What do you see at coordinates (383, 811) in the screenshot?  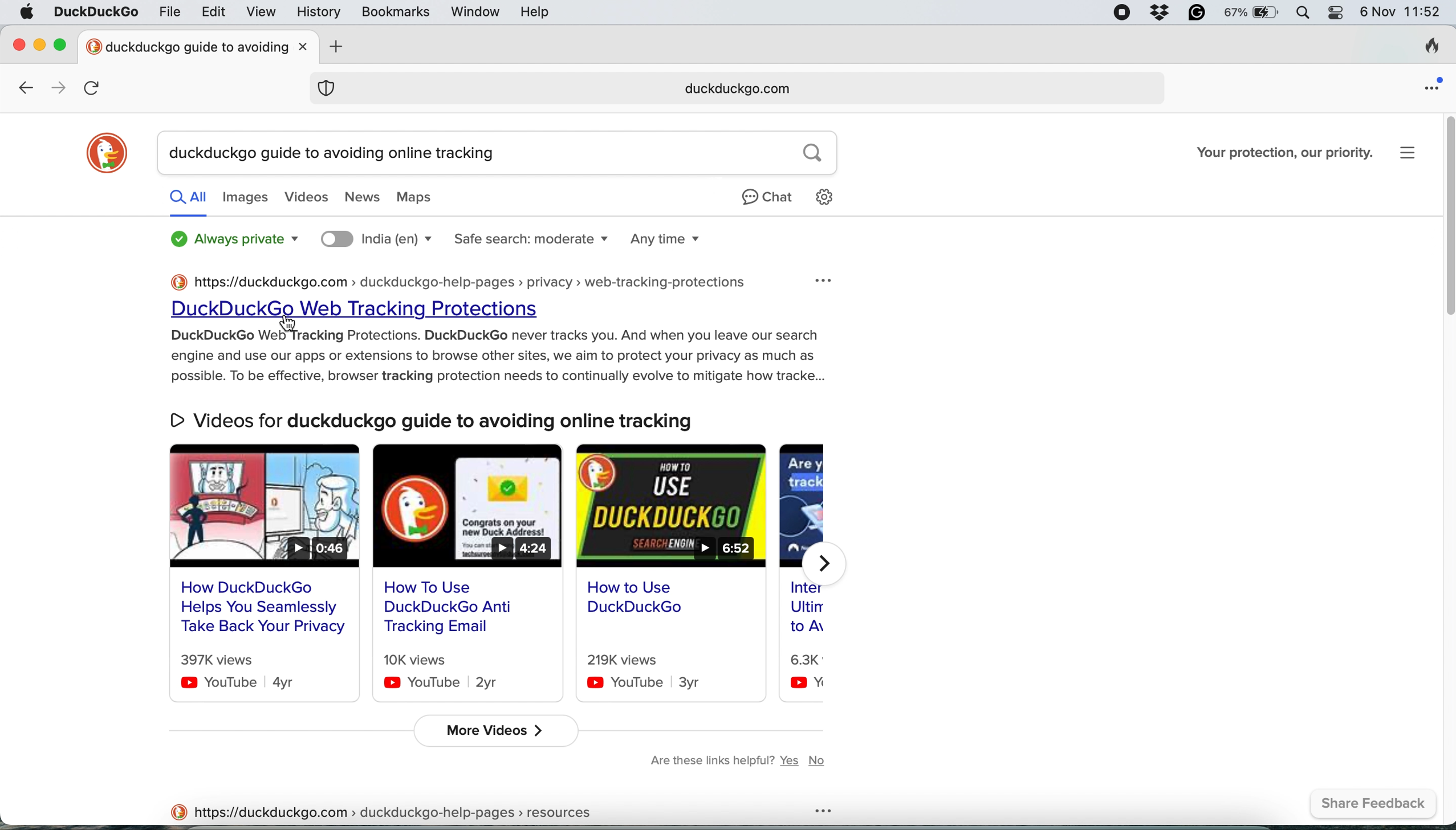 I see `https://duckduckgo.com > duckduckgo-help-pages > resources` at bounding box center [383, 811].